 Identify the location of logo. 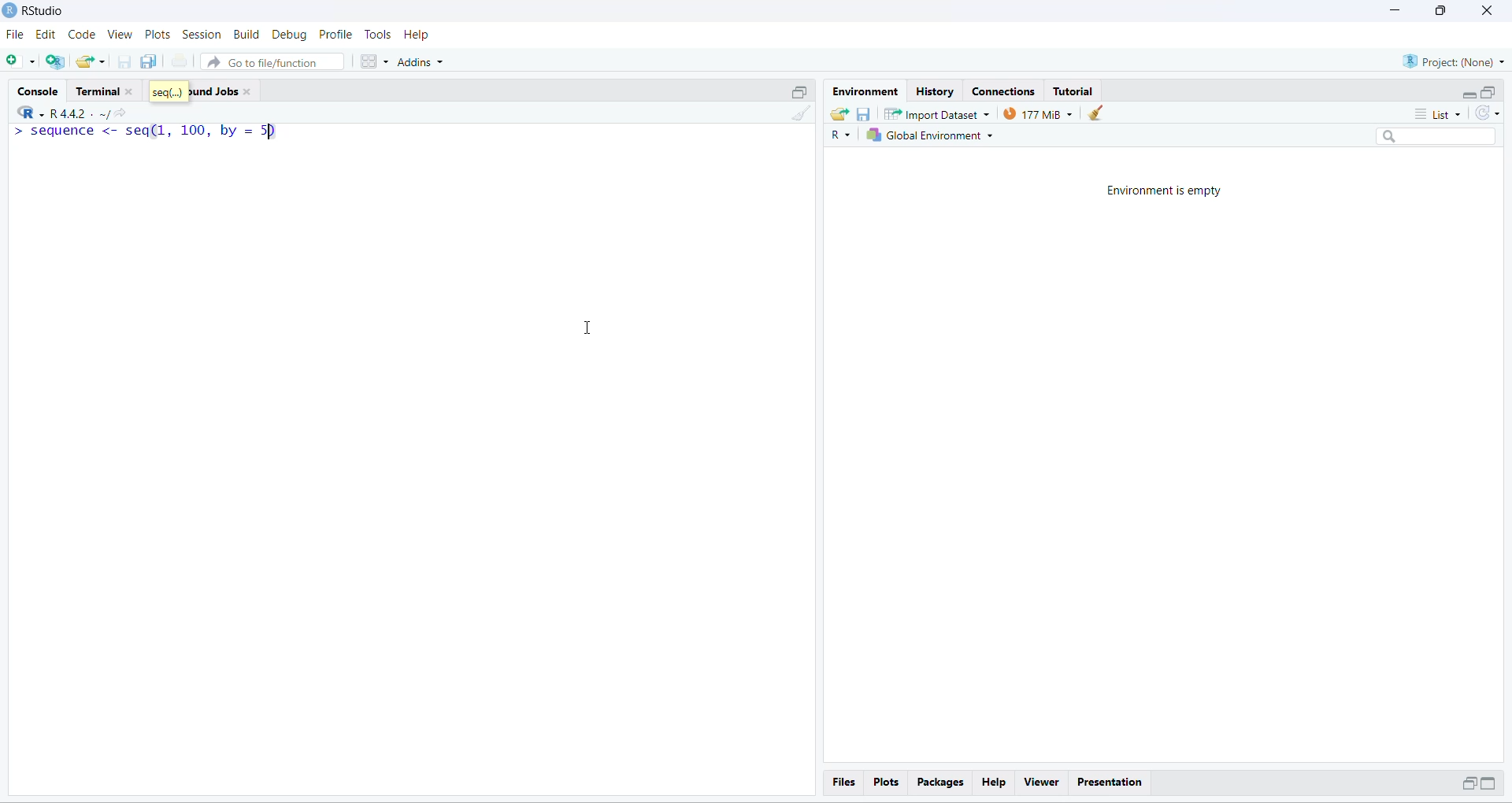
(9, 9).